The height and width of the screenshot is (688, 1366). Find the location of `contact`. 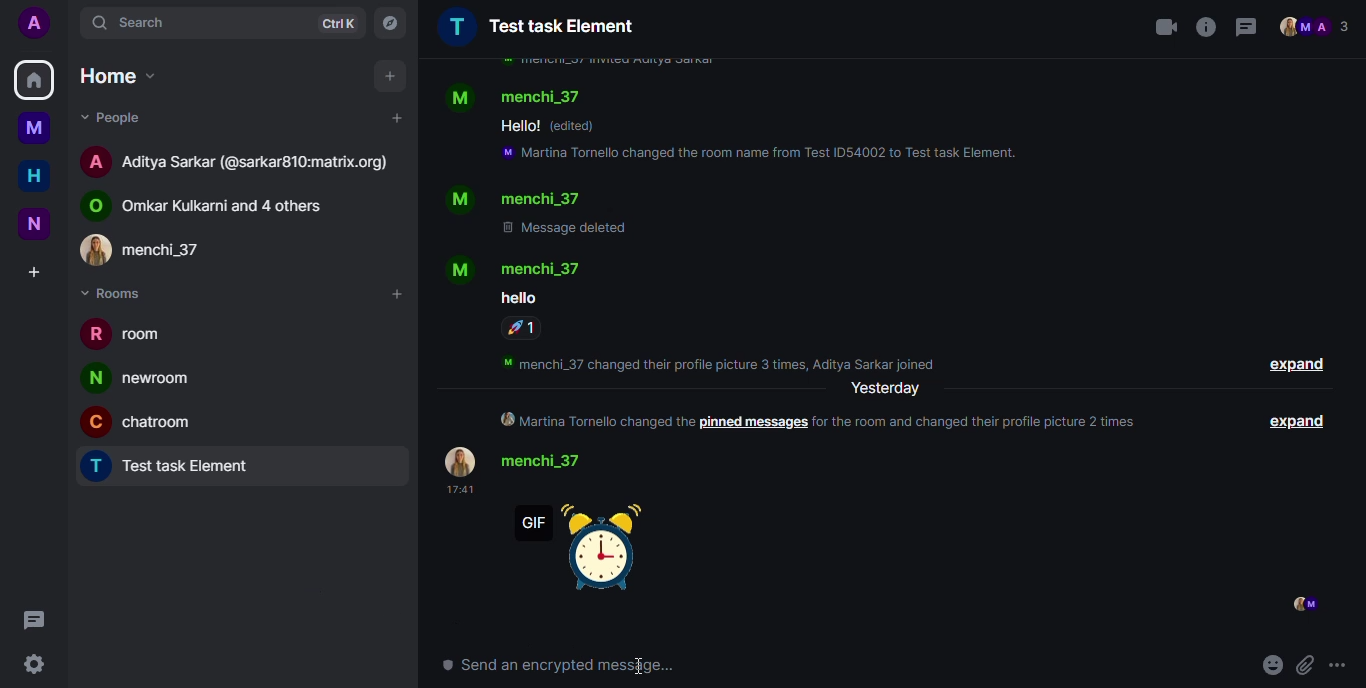

contact is located at coordinates (524, 461).